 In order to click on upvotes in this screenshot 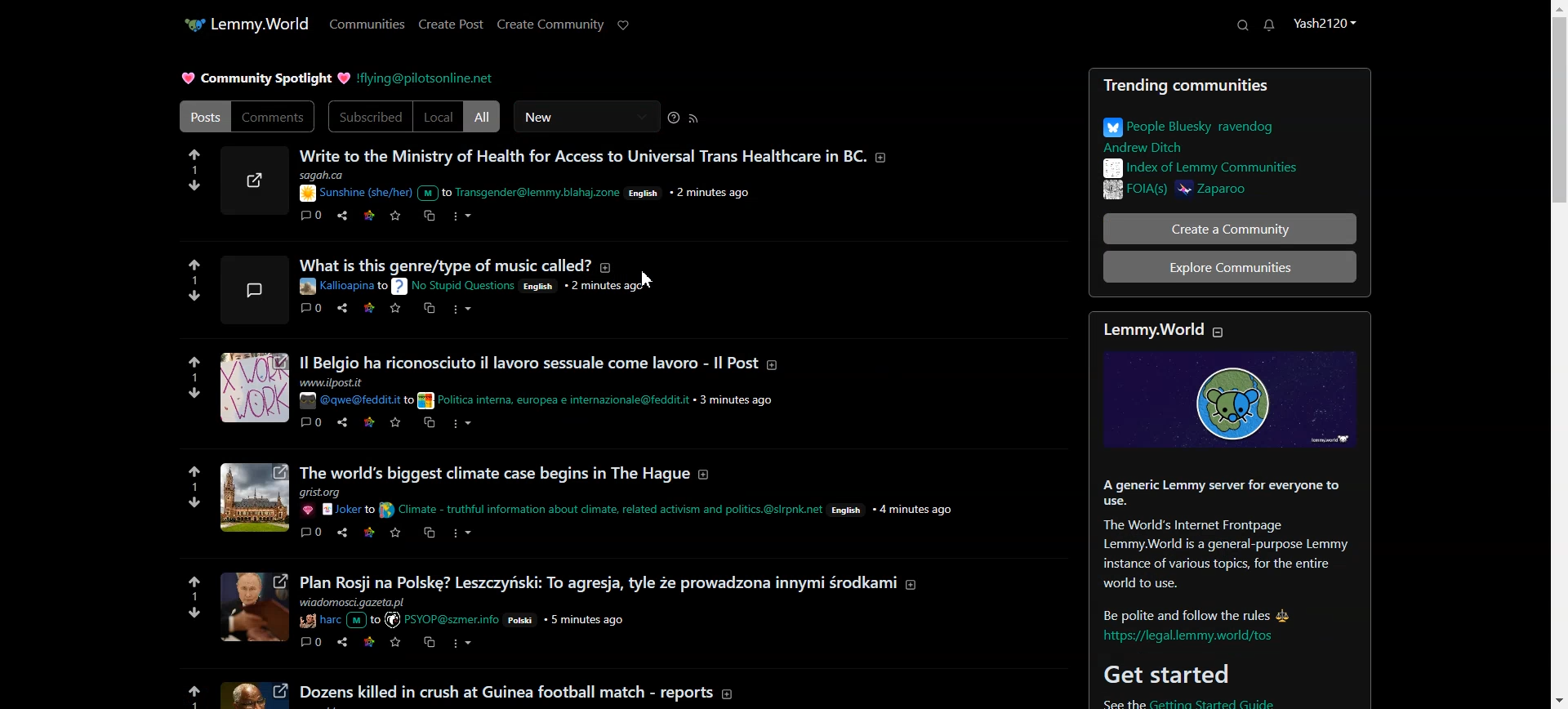, I will do `click(194, 467)`.